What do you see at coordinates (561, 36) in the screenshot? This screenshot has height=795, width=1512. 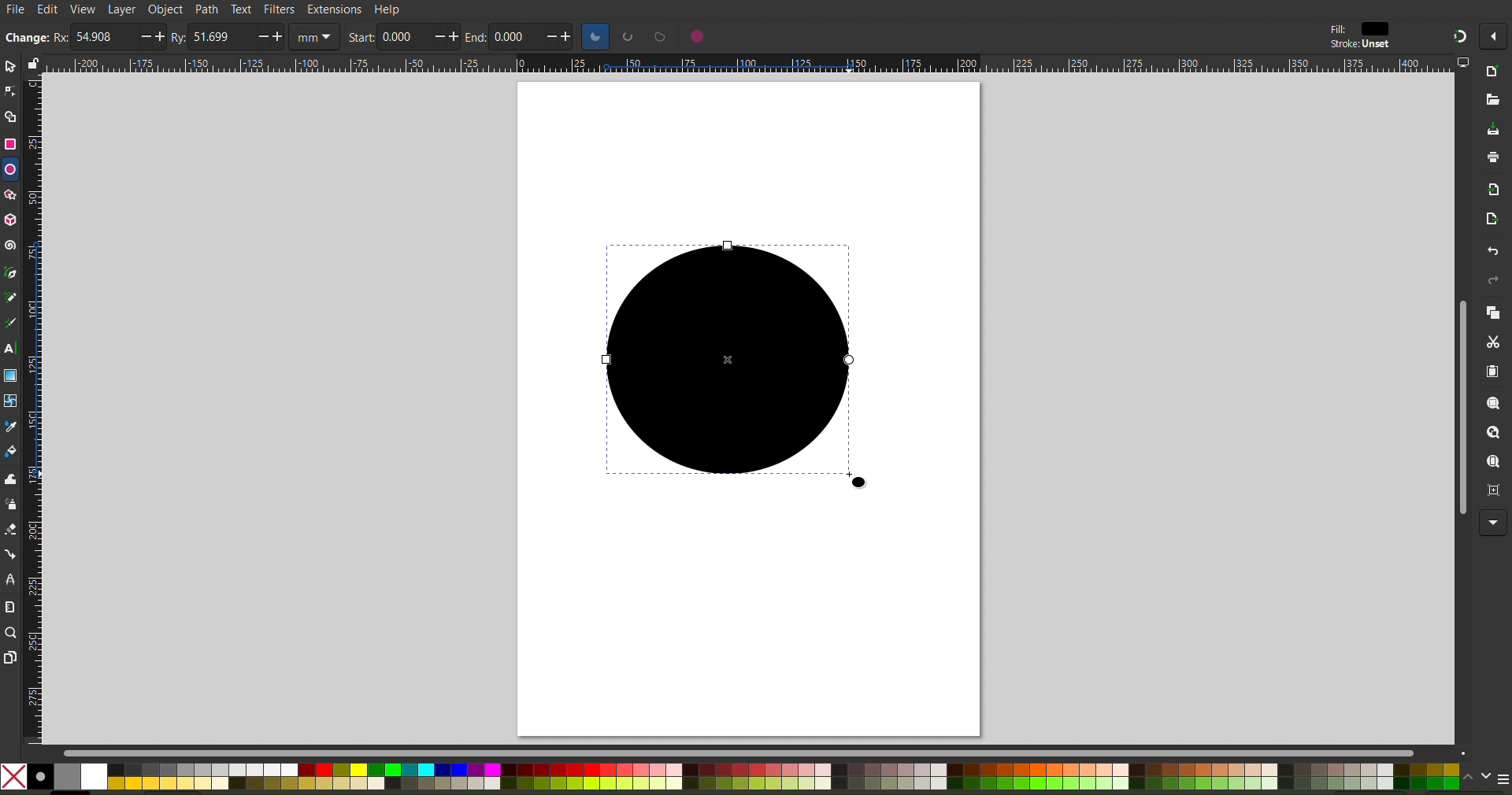 I see `increase/decrease` at bounding box center [561, 36].